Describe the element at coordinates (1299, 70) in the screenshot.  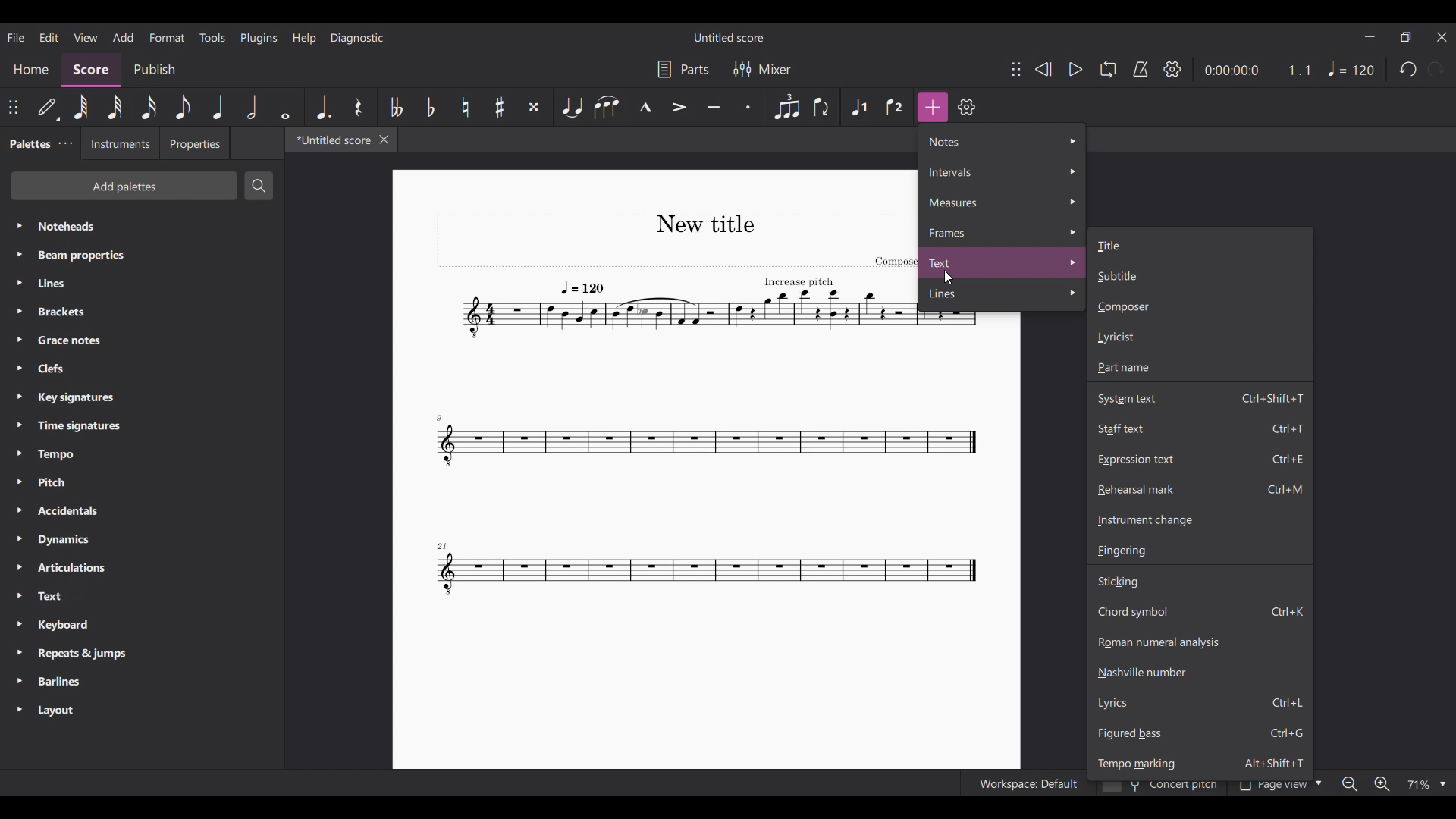
I see `Current ratio` at that location.